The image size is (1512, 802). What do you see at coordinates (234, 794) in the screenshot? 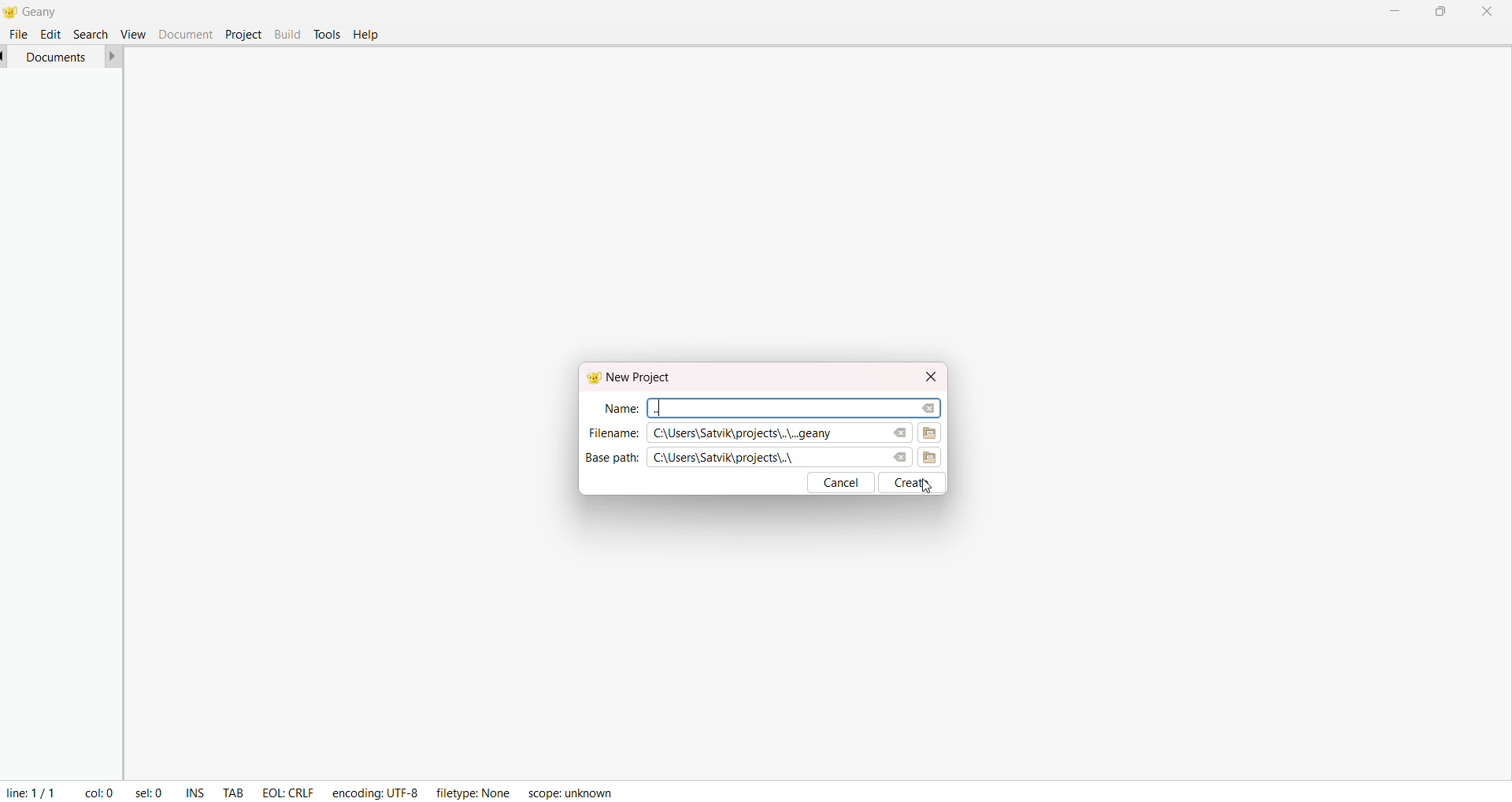
I see `tab` at bounding box center [234, 794].